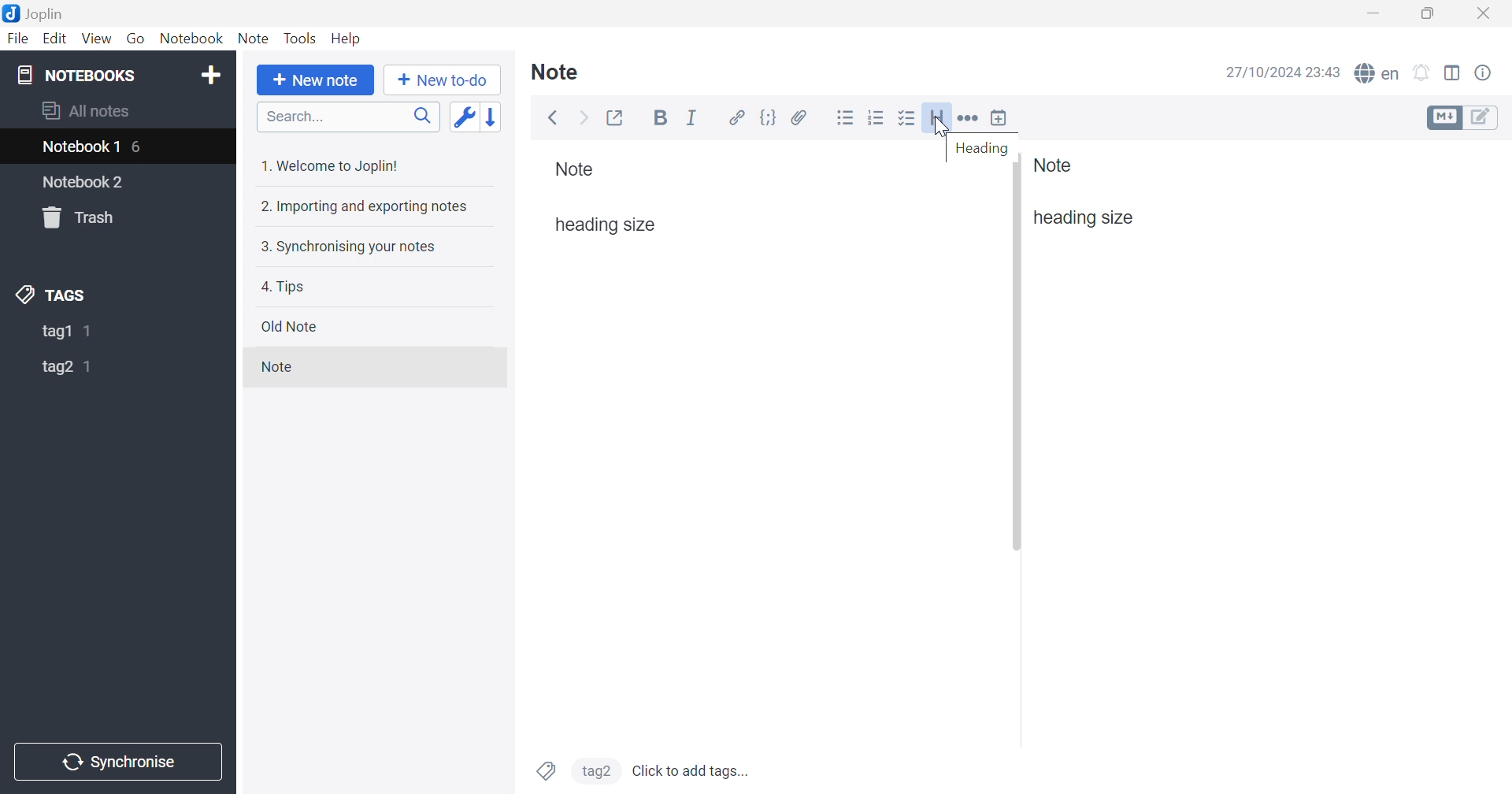  Describe the element at coordinates (86, 109) in the screenshot. I see `All notes` at that location.